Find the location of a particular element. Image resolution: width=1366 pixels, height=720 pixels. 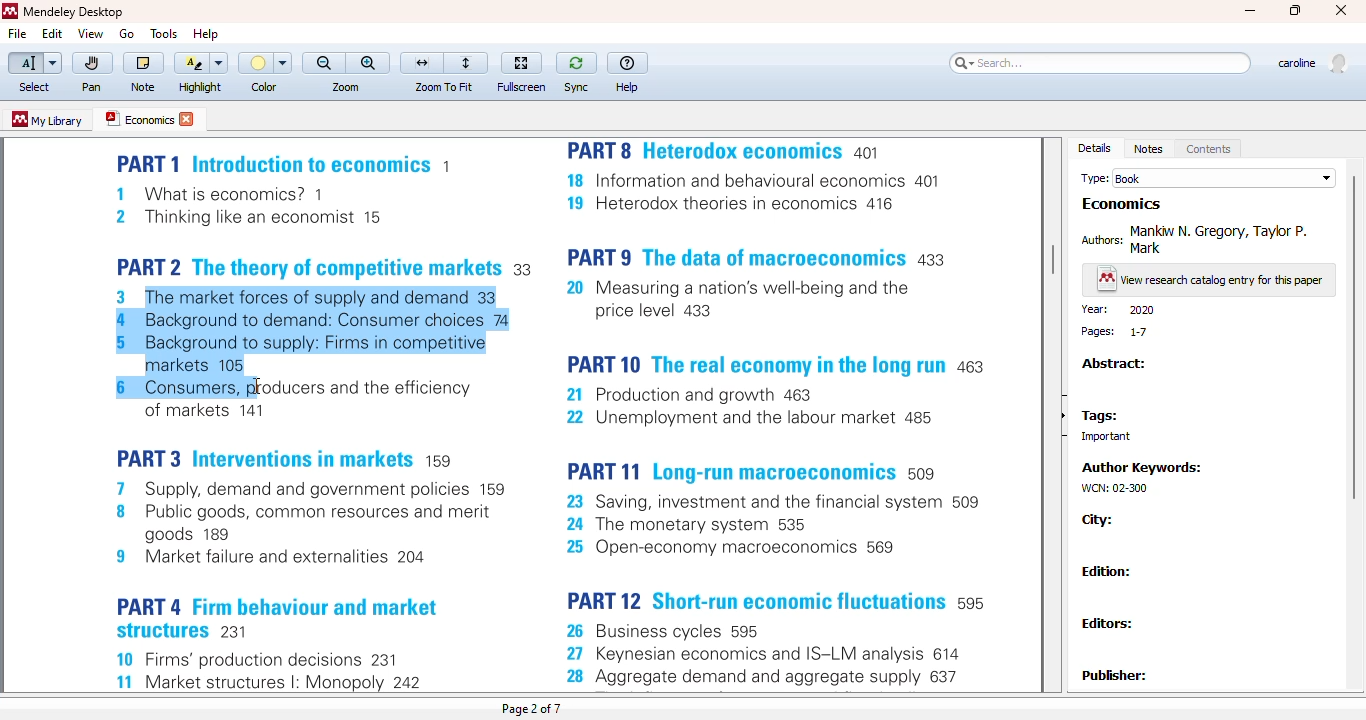

color is located at coordinates (265, 63).